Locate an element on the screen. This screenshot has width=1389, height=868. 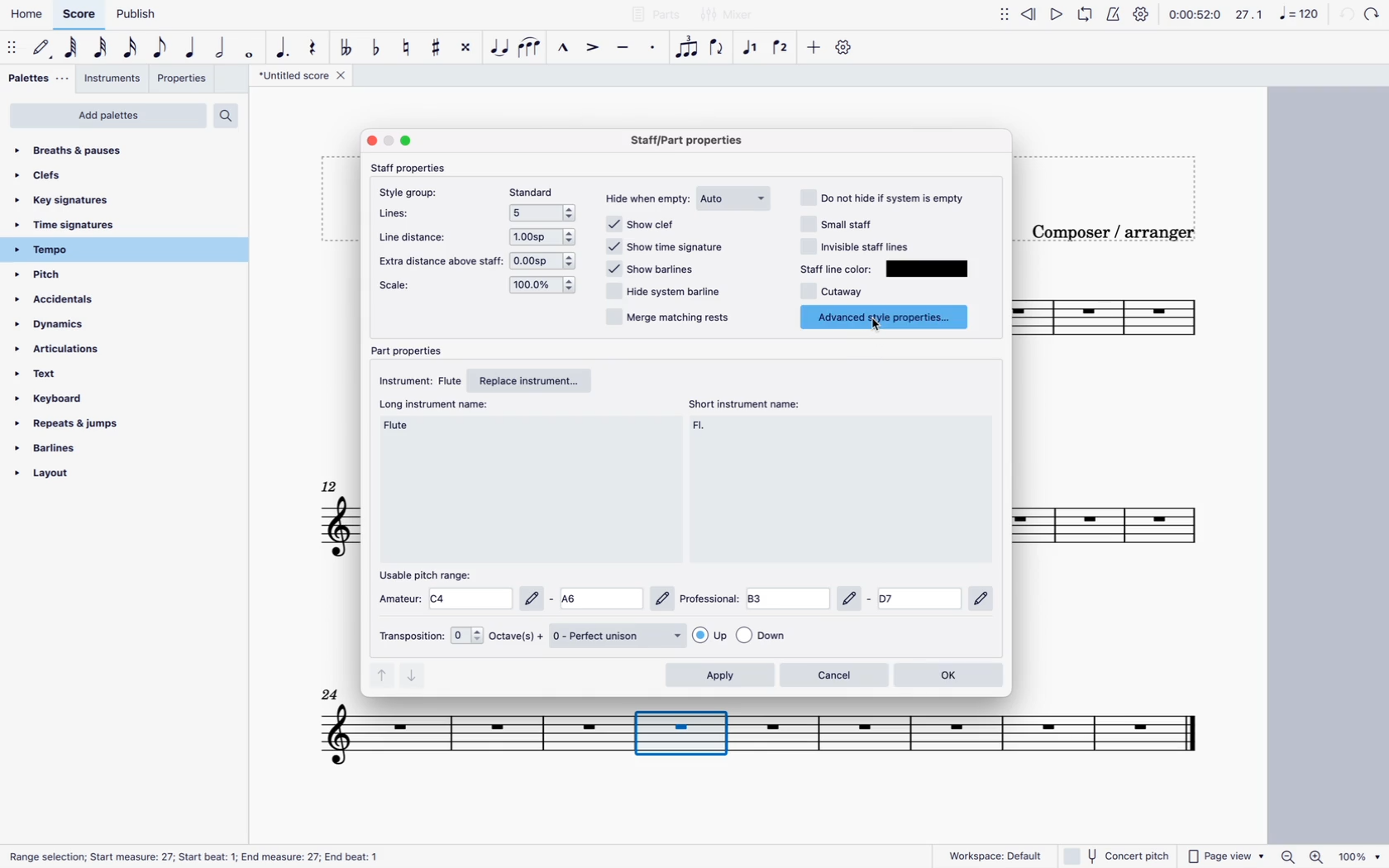
quarter note is located at coordinates (192, 46).